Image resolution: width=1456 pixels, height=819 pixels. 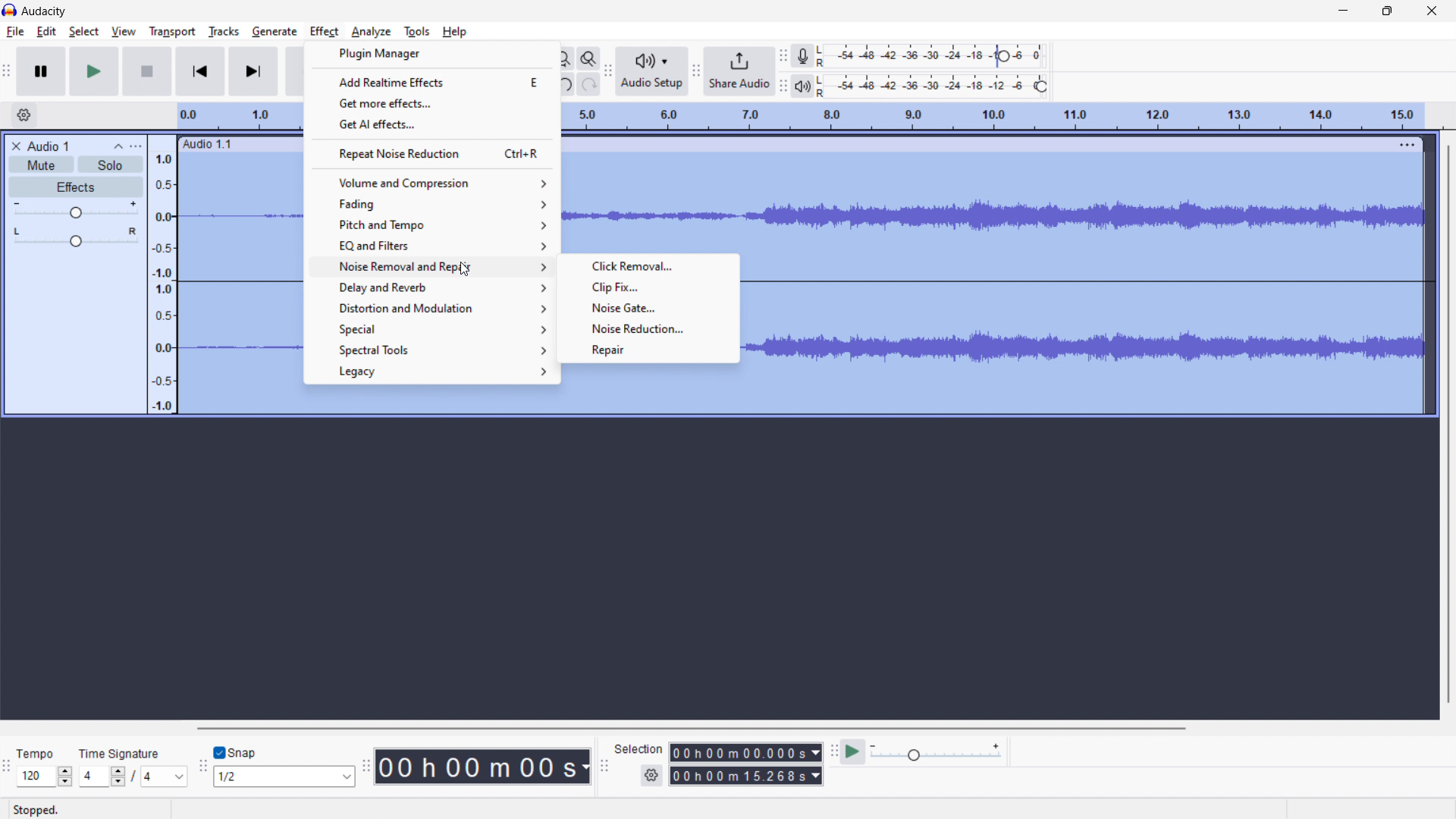 What do you see at coordinates (648, 350) in the screenshot?
I see `repair` at bounding box center [648, 350].